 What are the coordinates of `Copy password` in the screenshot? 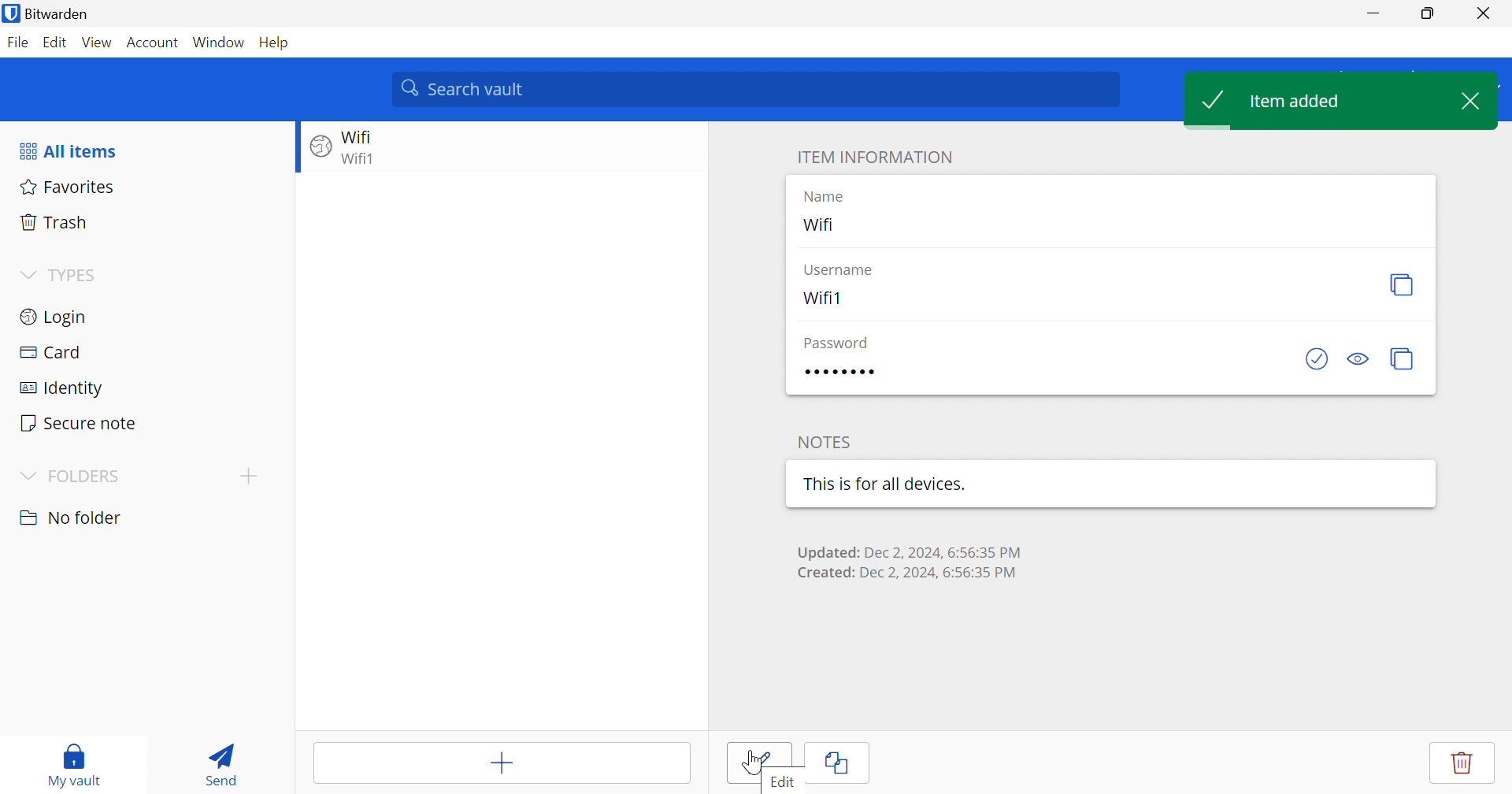 It's located at (1405, 361).